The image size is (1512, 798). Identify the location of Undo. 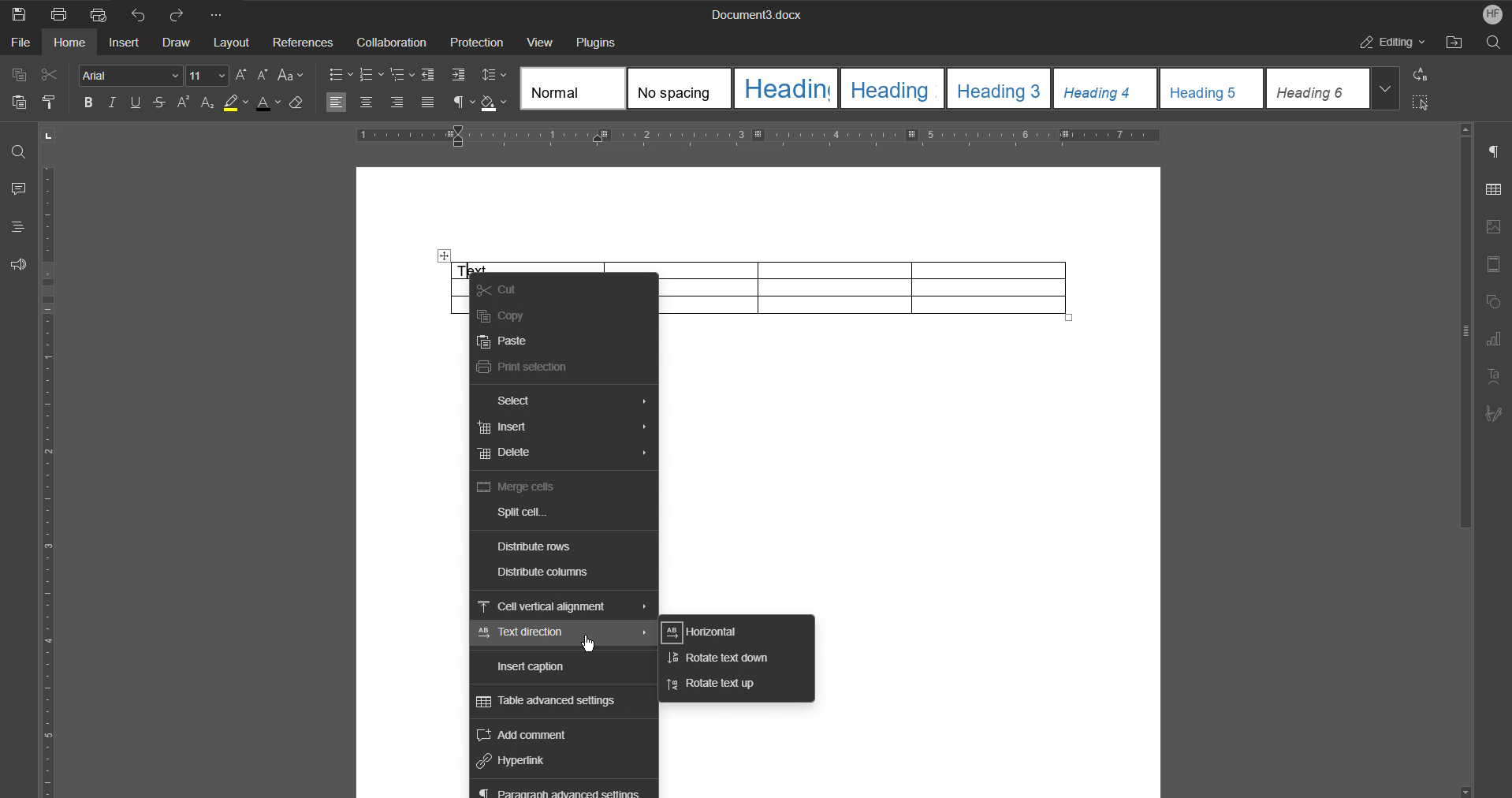
(138, 13).